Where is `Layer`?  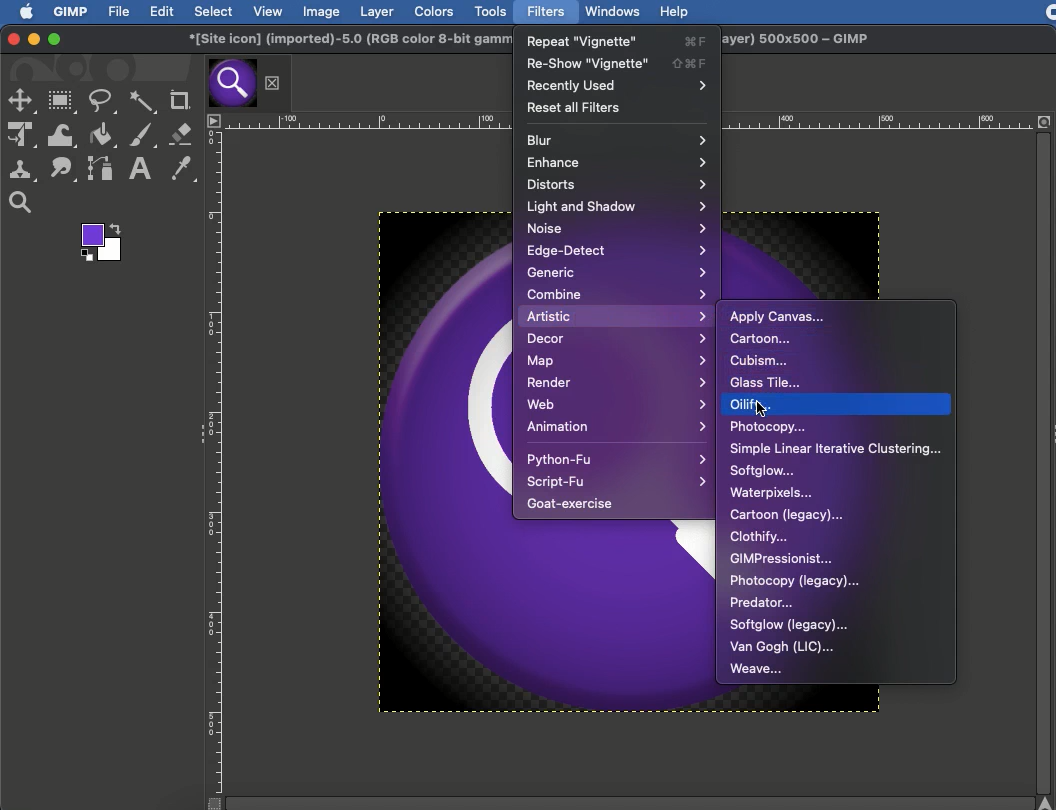
Layer is located at coordinates (374, 11).